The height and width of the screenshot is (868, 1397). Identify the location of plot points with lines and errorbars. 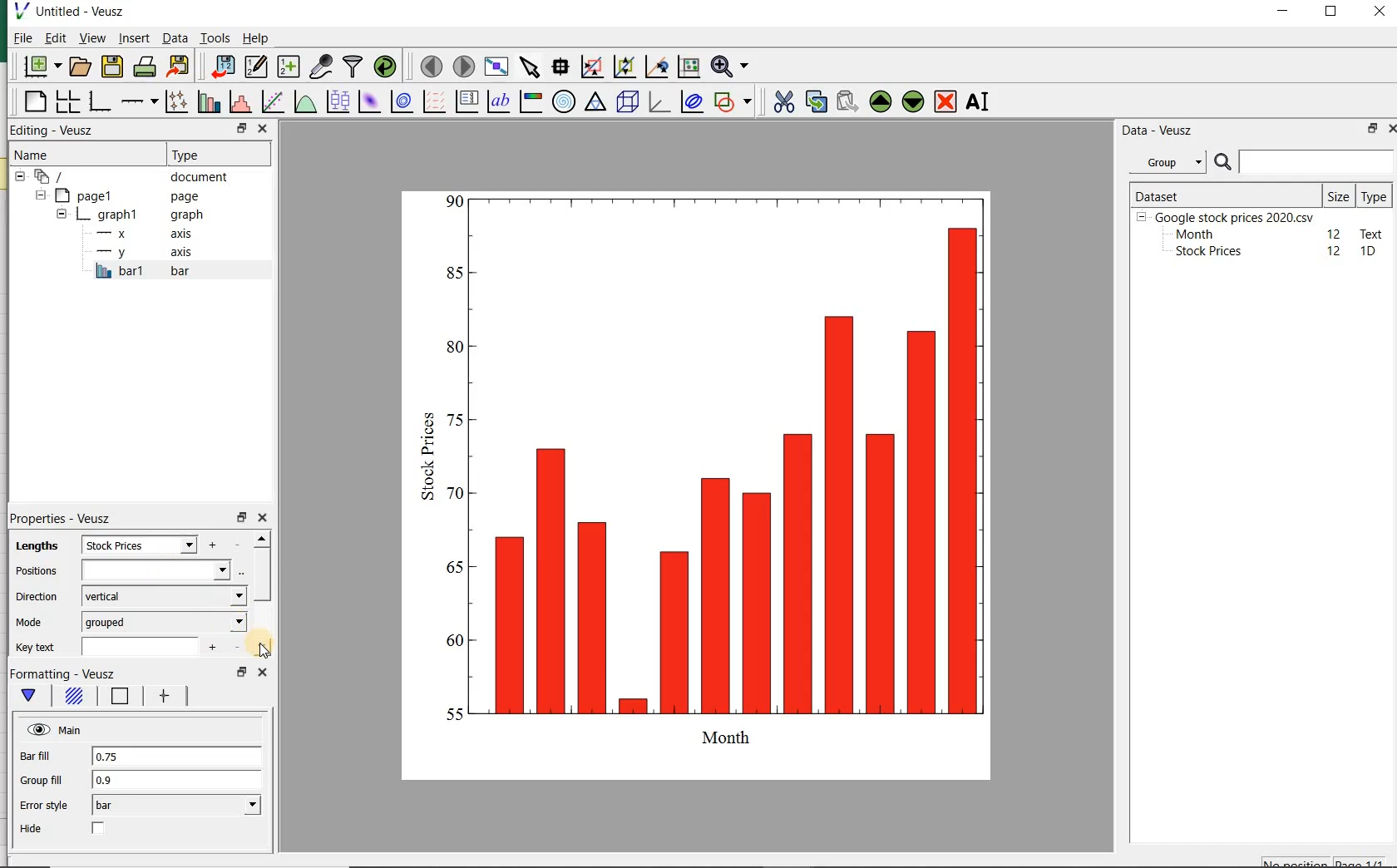
(173, 103).